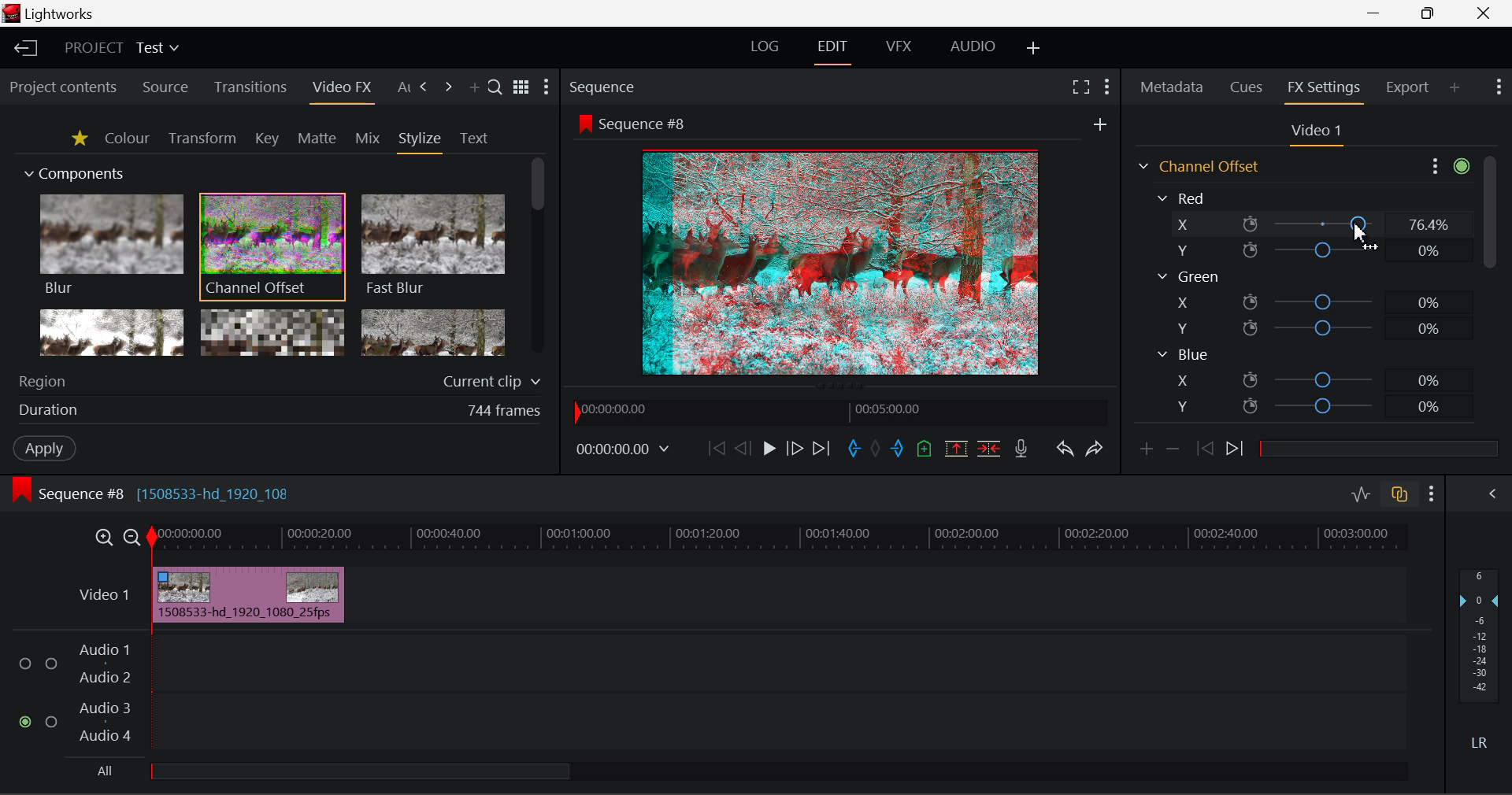  Describe the element at coordinates (1313, 405) in the screenshot. I see `Blue Y` at that location.